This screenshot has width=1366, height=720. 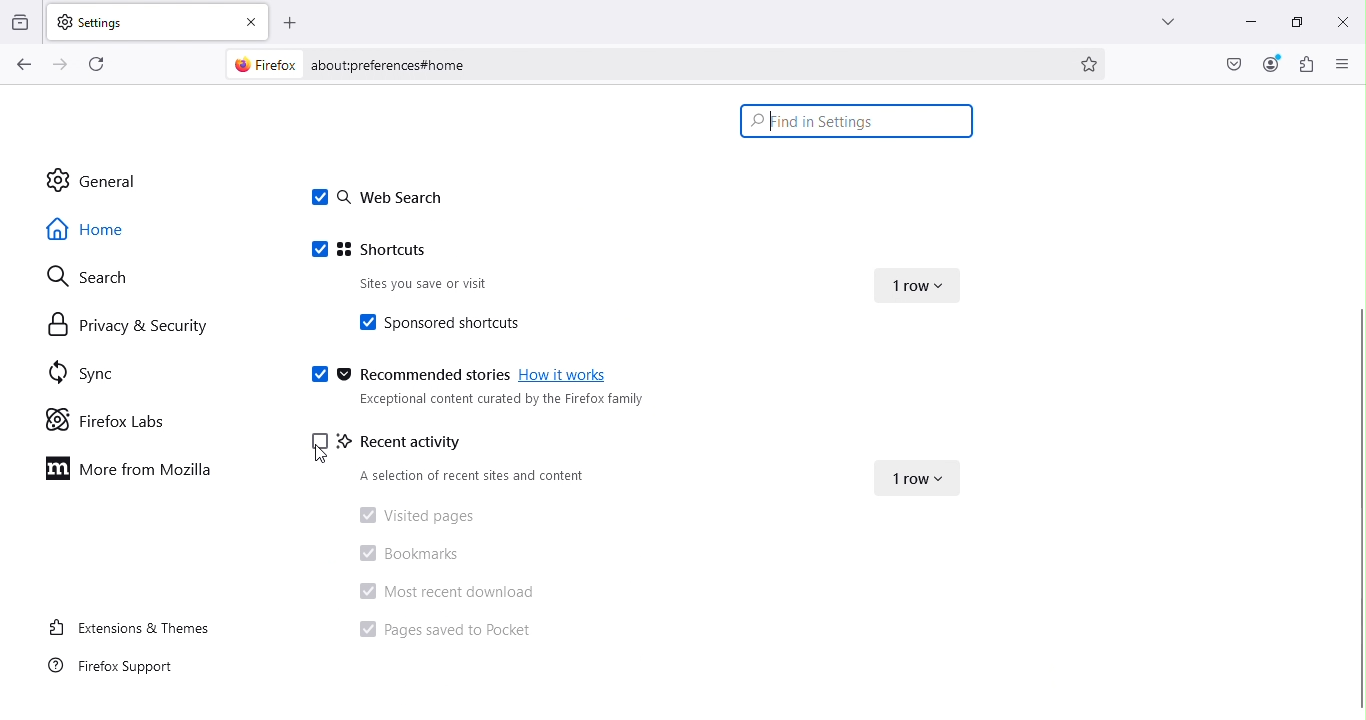 What do you see at coordinates (323, 457) in the screenshot?
I see `cursor` at bounding box center [323, 457].